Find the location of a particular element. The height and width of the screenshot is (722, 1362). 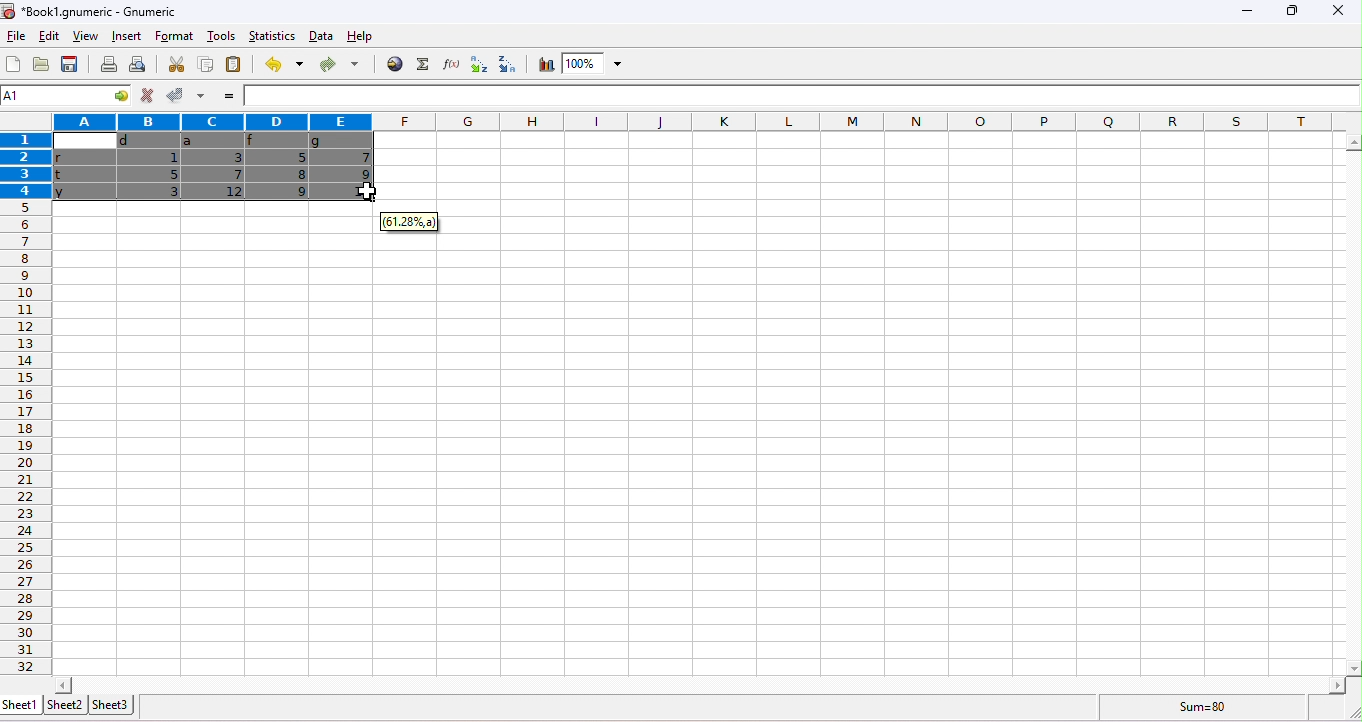

help is located at coordinates (361, 36).